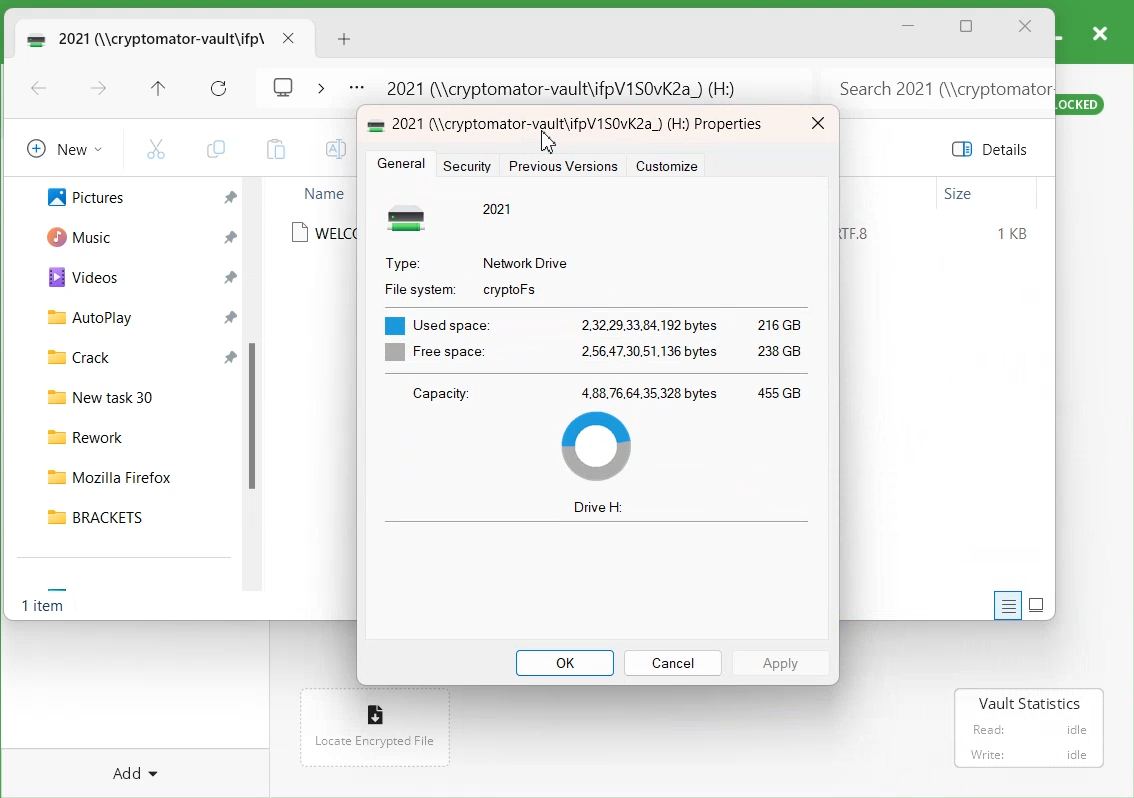  What do you see at coordinates (131, 394) in the screenshot?
I see `New task 30` at bounding box center [131, 394].